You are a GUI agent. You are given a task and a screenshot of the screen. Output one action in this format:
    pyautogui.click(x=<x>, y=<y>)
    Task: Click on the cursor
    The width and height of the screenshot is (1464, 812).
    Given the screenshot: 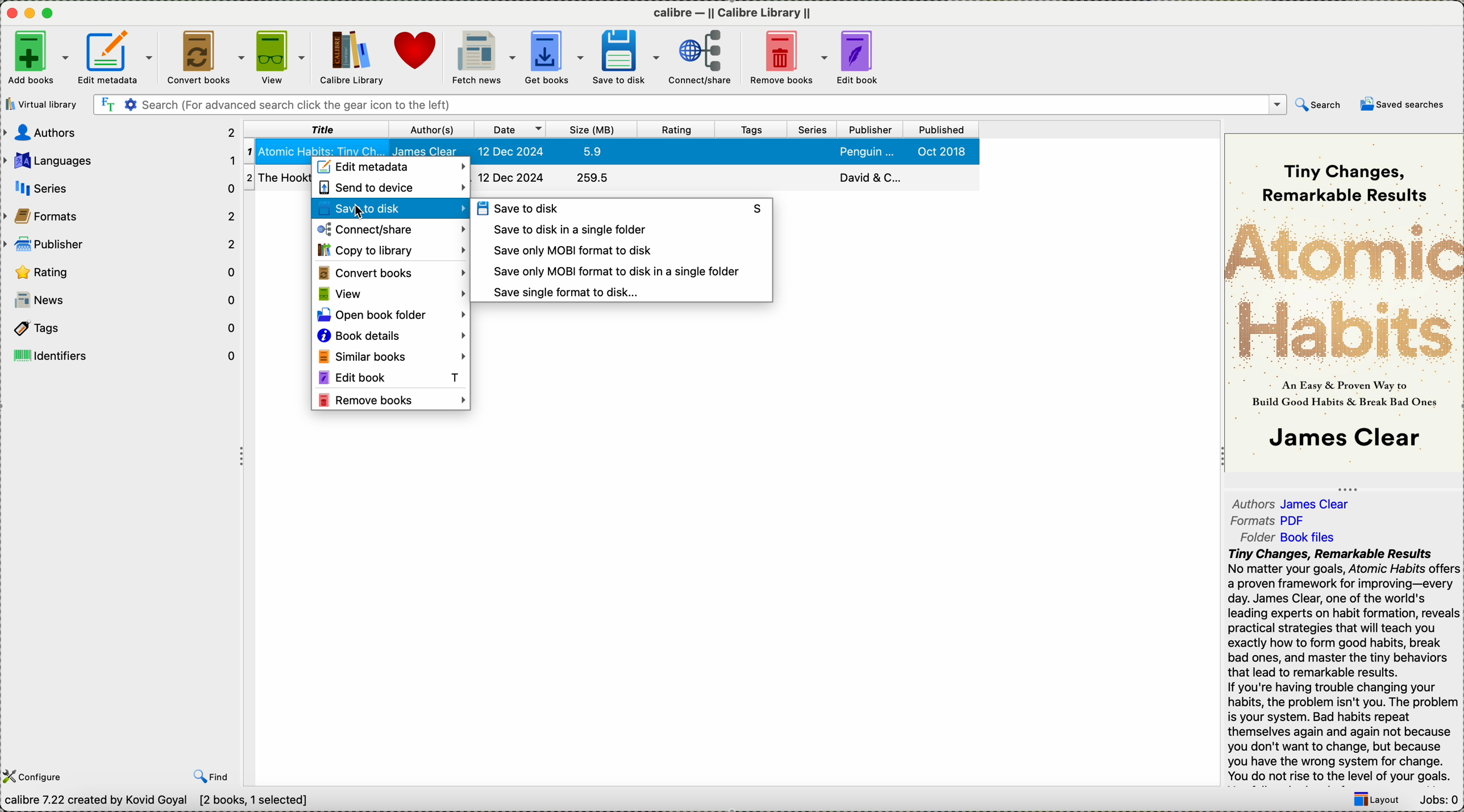 What is the action you would take?
    pyautogui.click(x=364, y=211)
    